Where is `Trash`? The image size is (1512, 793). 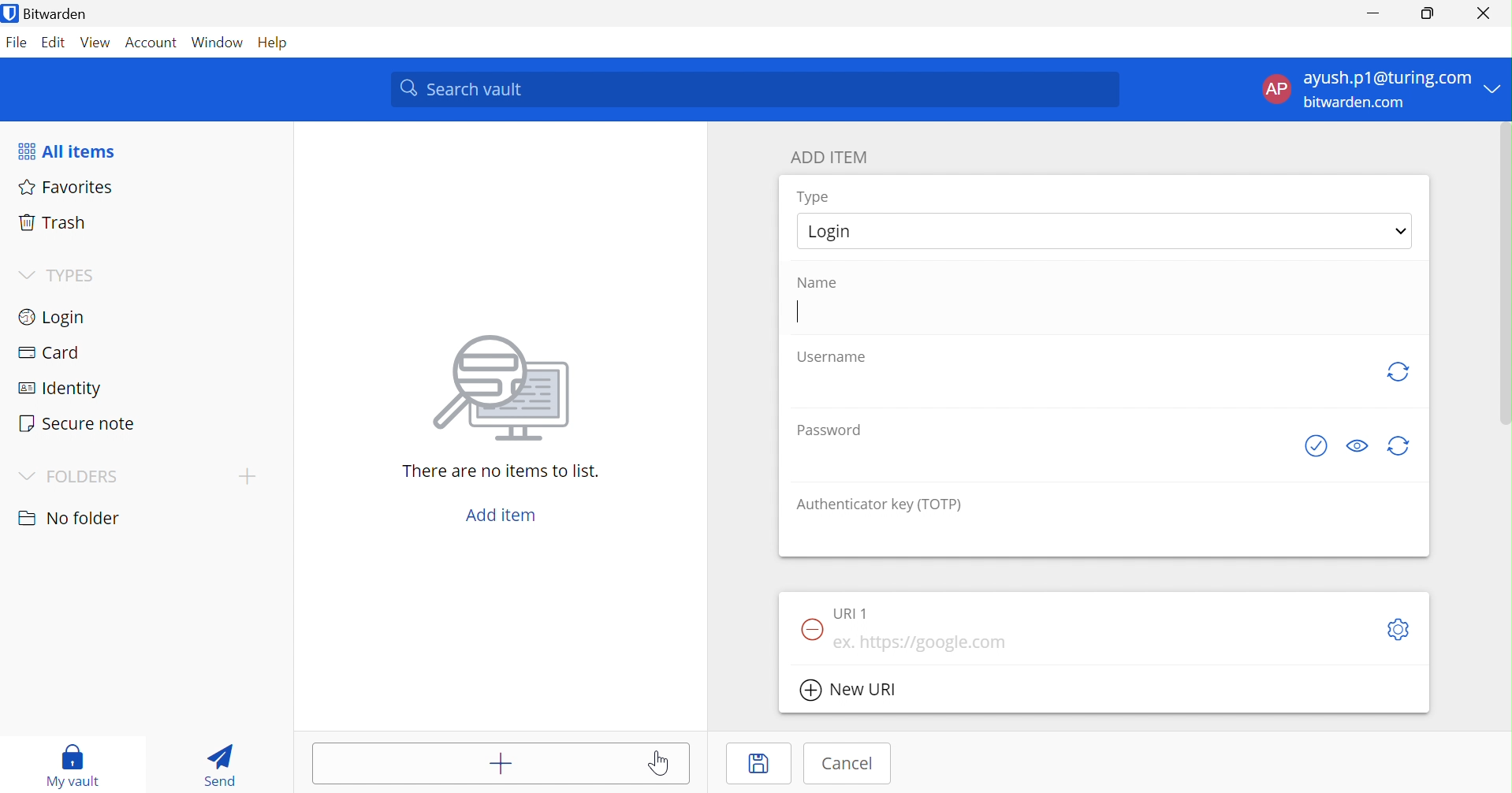 Trash is located at coordinates (51, 225).